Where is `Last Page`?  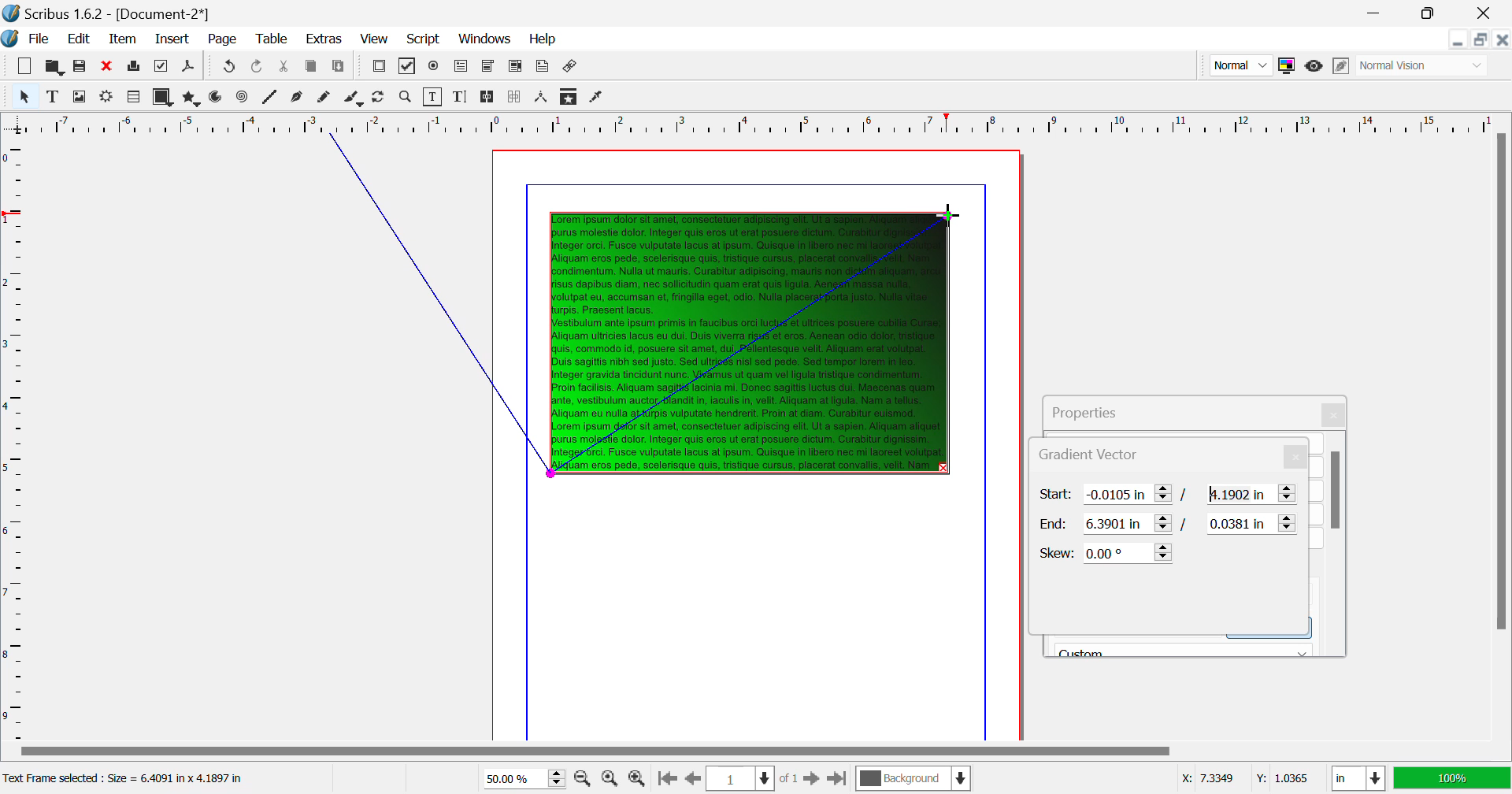 Last Page is located at coordinates (836, 779).